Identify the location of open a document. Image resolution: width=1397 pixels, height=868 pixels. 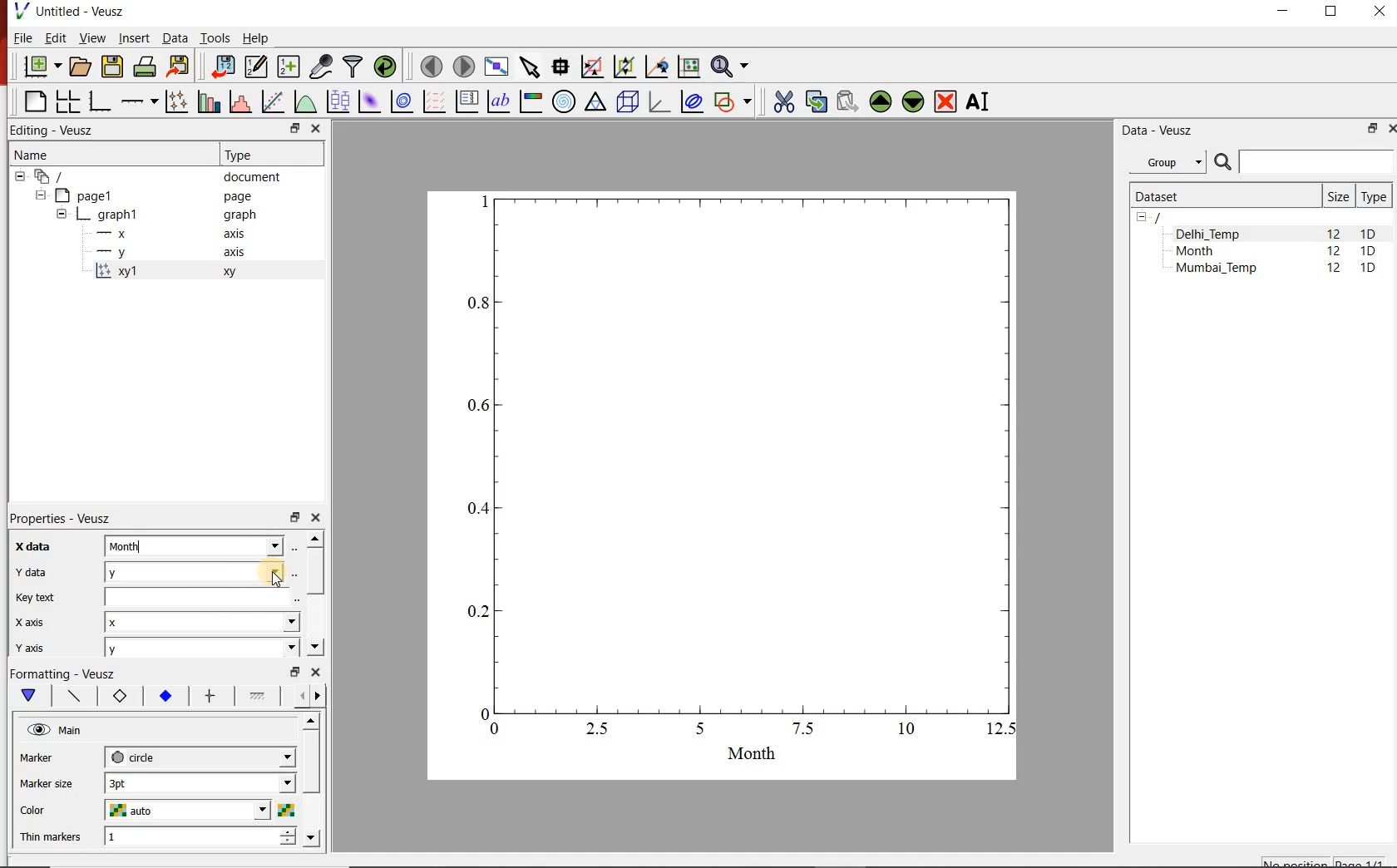
(79, 67).